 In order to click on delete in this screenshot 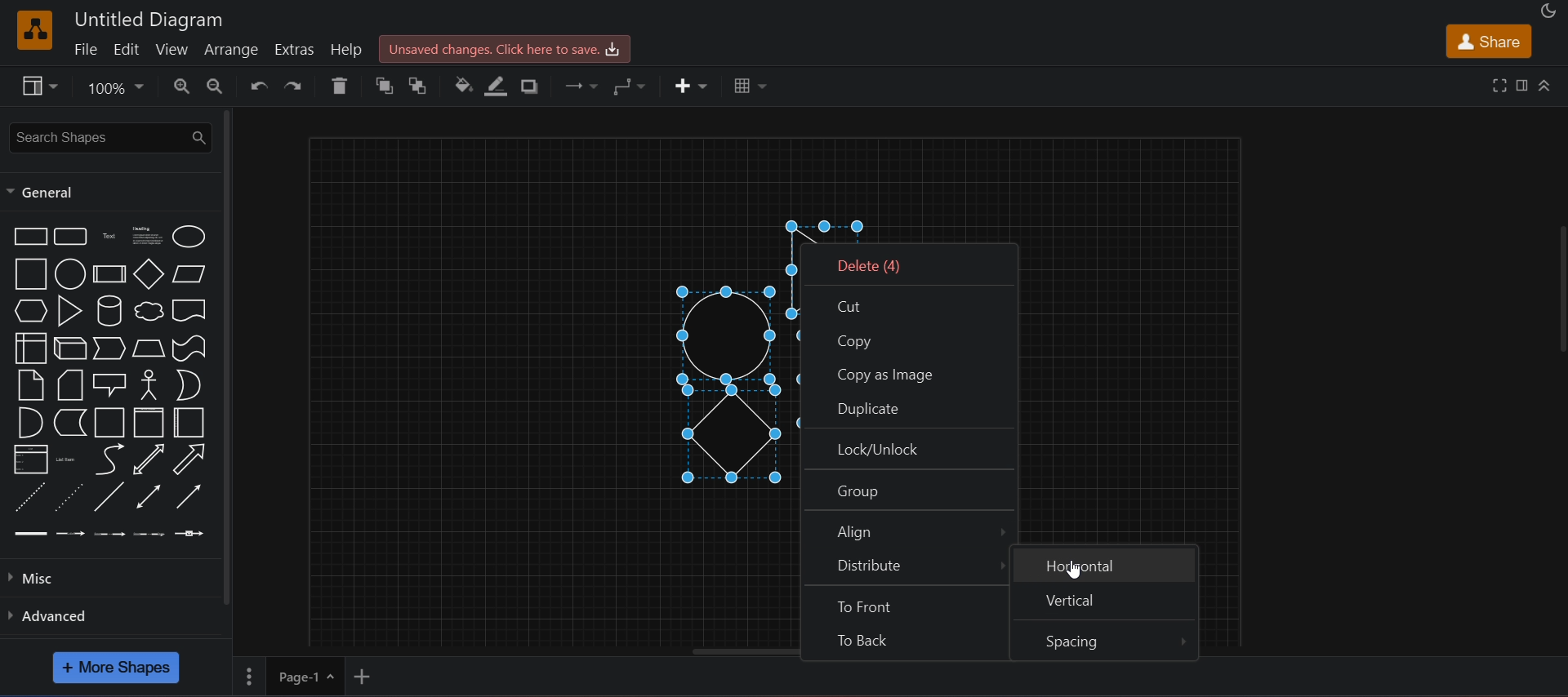, I will do `click(343, 86)`.